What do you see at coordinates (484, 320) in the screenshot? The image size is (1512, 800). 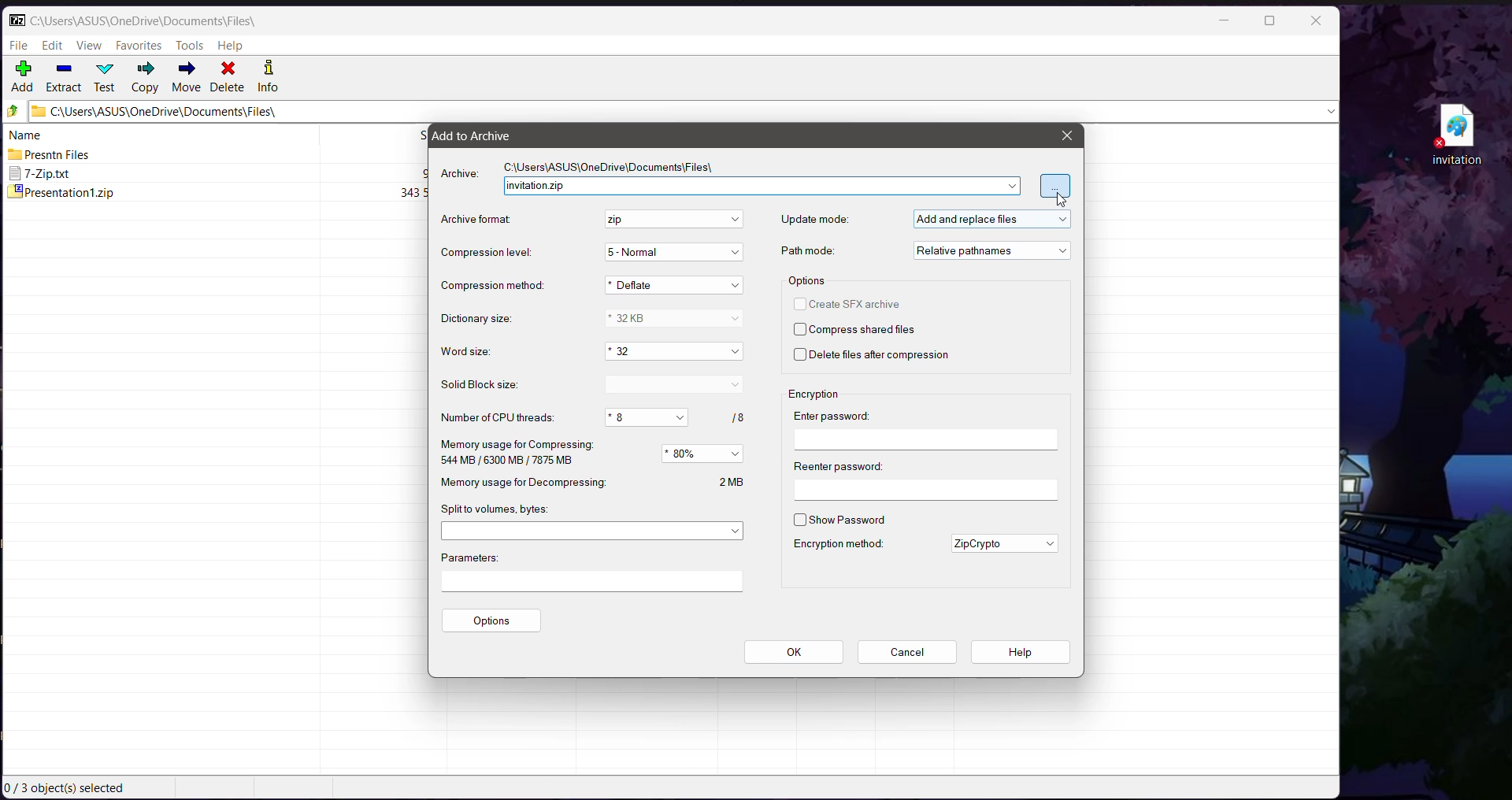 I see `Dictionary size` at bounding box center [484, 320].